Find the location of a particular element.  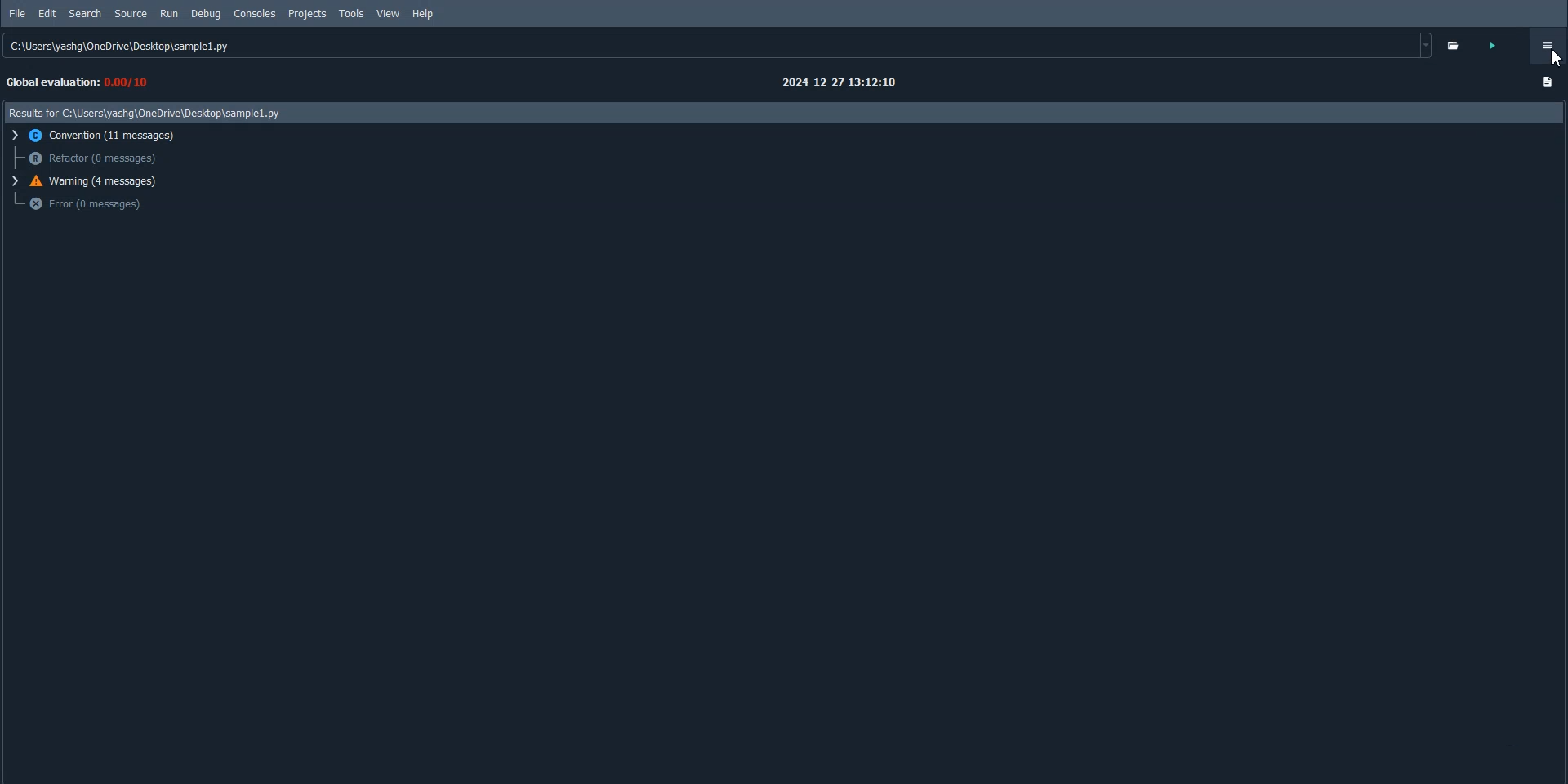

Tools is located at coordinates (352, 14).